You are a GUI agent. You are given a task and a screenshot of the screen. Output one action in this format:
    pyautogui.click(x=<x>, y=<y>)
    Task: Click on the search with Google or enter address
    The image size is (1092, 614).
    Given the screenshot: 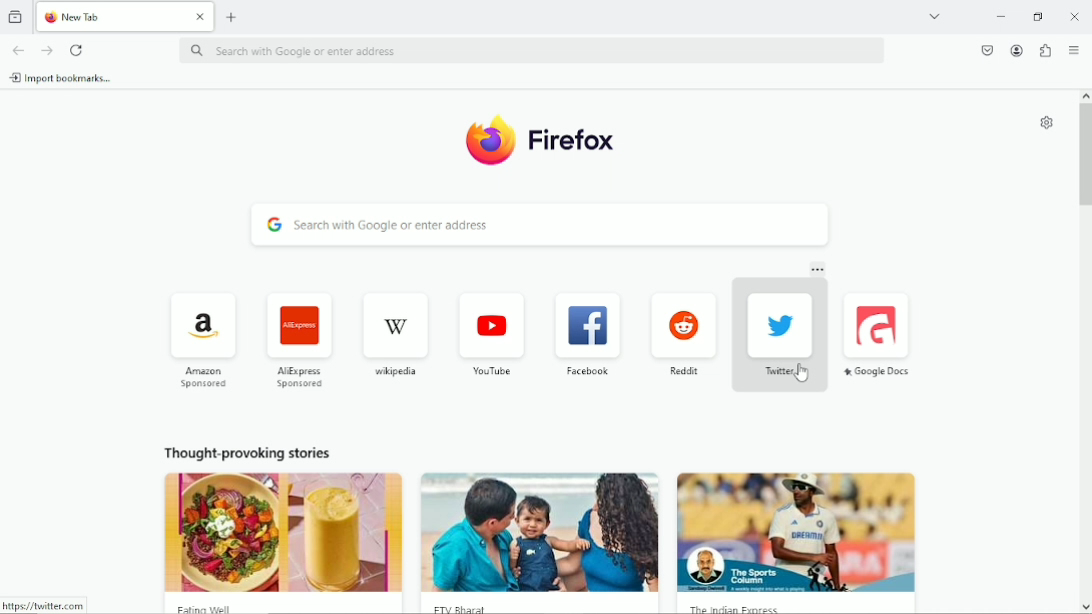 What is the action you would take?
    pyautogui.click(x=538, y=226)
    